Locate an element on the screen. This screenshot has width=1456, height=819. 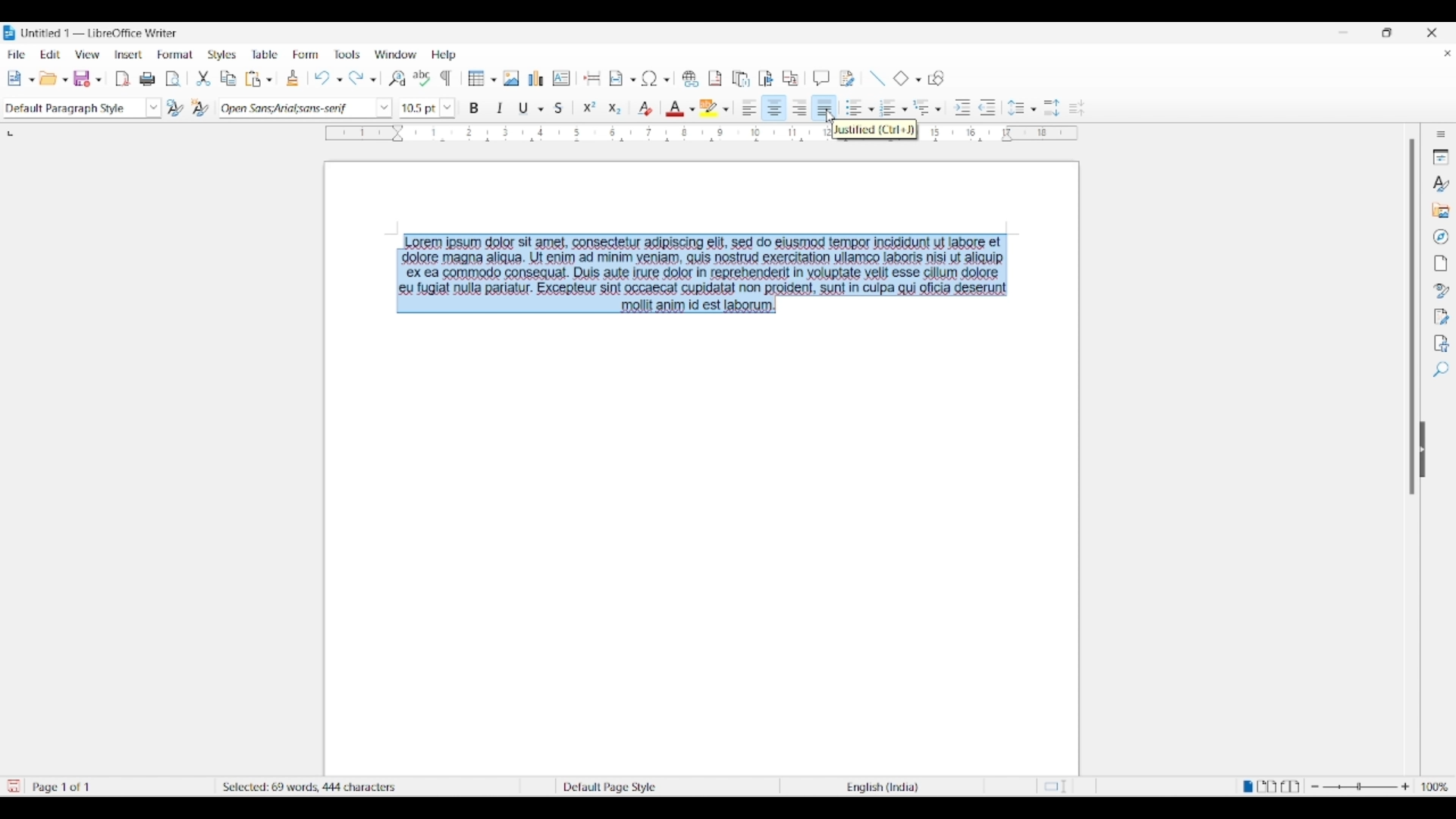
open saved document is located at coordinates (50, 78).